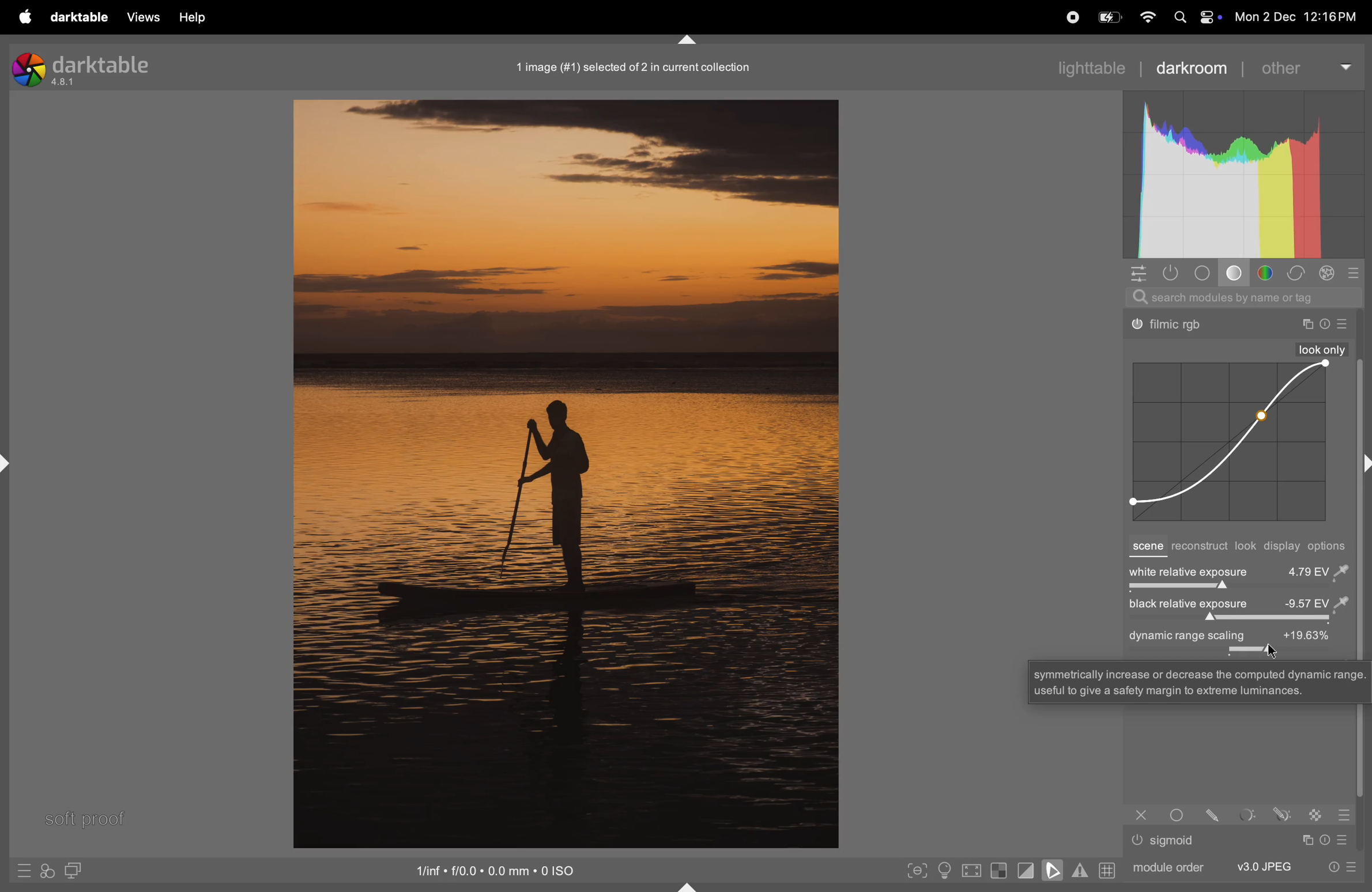 This screenshot has height=892, width=1372. Describe the element at coordinates (24, 870) in the screenshot. I see `quick acess to presets` at that location.